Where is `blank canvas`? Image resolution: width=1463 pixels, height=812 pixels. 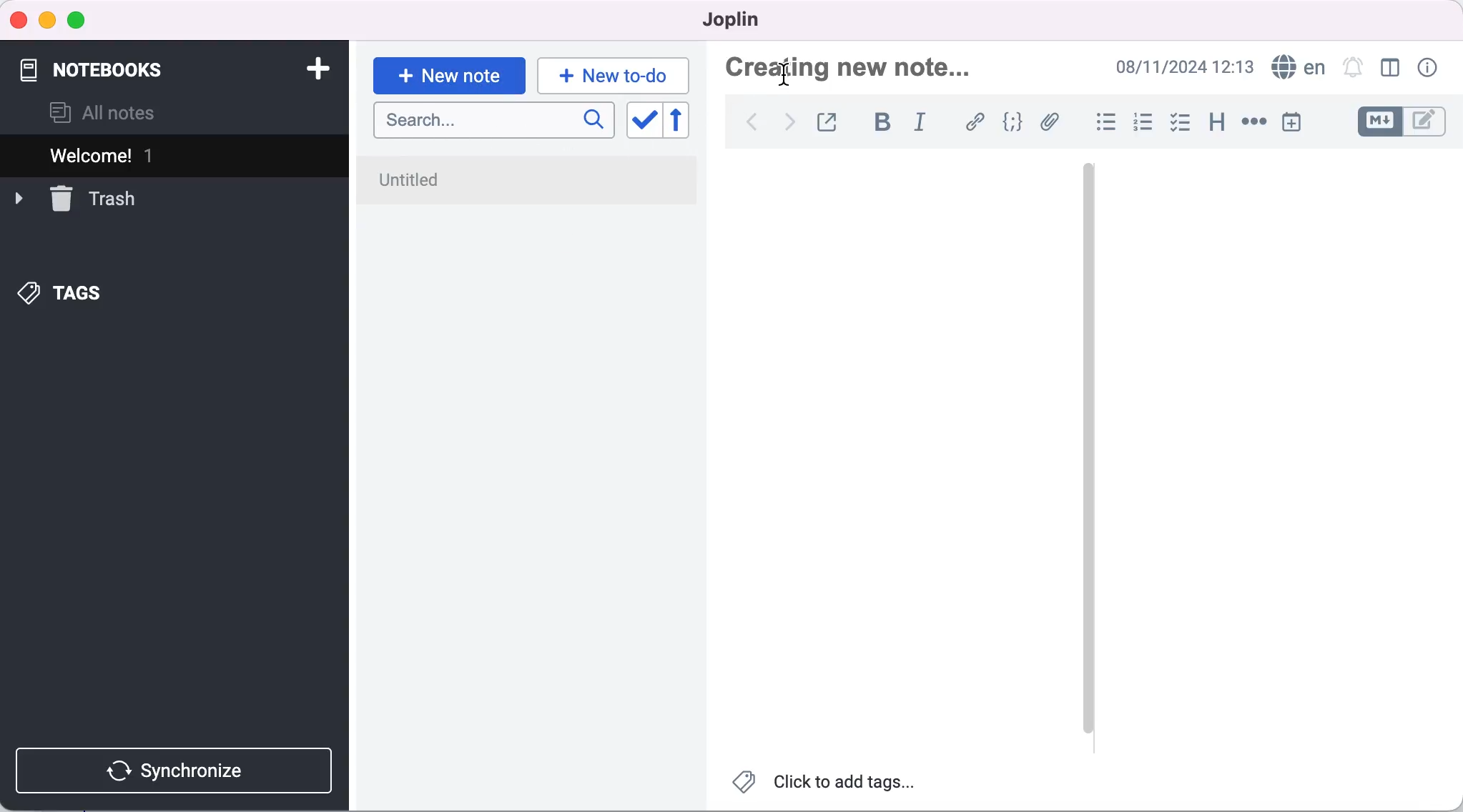
blank canvas is located at coordinates (1277, 448).